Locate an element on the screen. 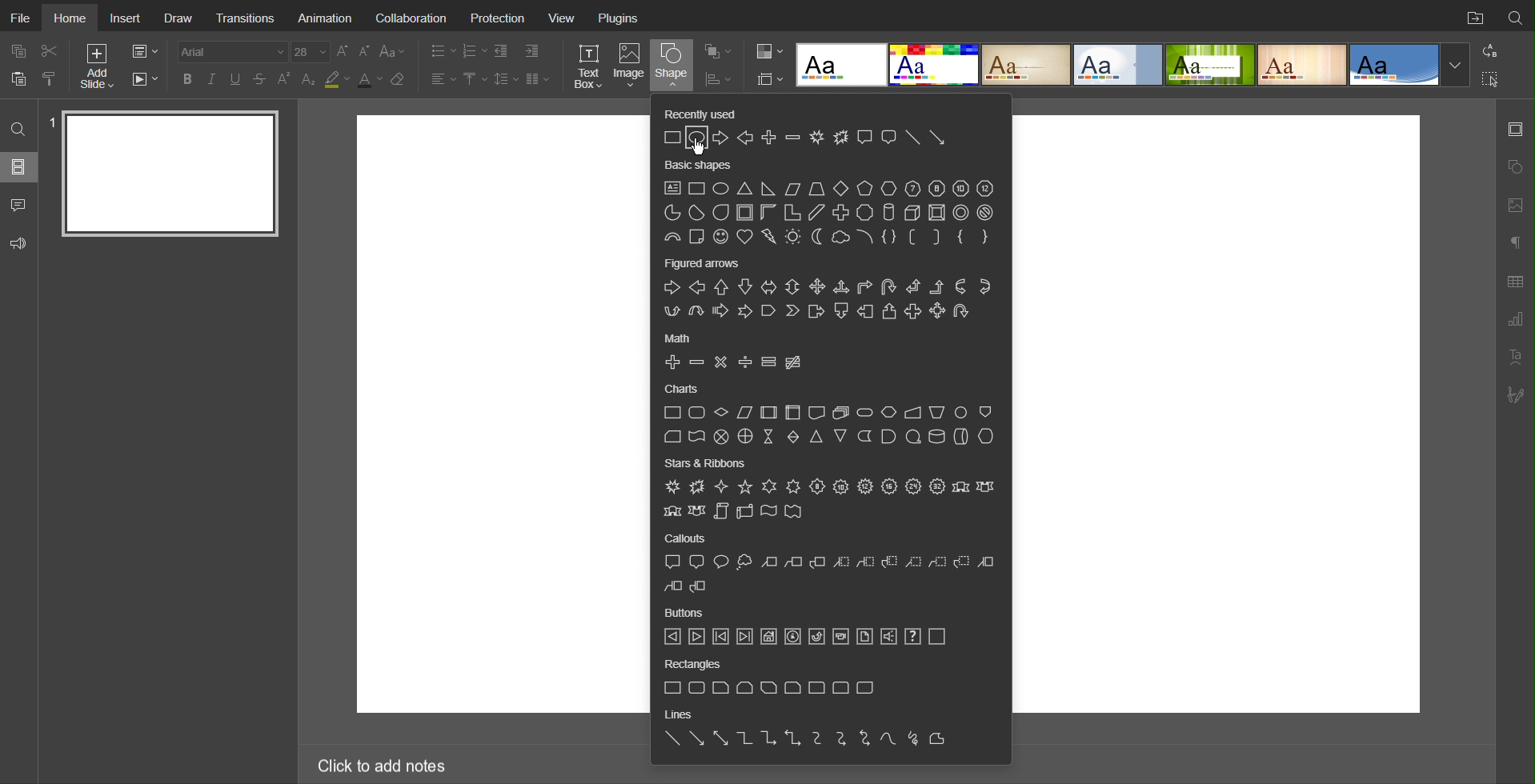 The width and height of the screenshot is (1535, 784). Recently Used is located at coordinates (811, 132).